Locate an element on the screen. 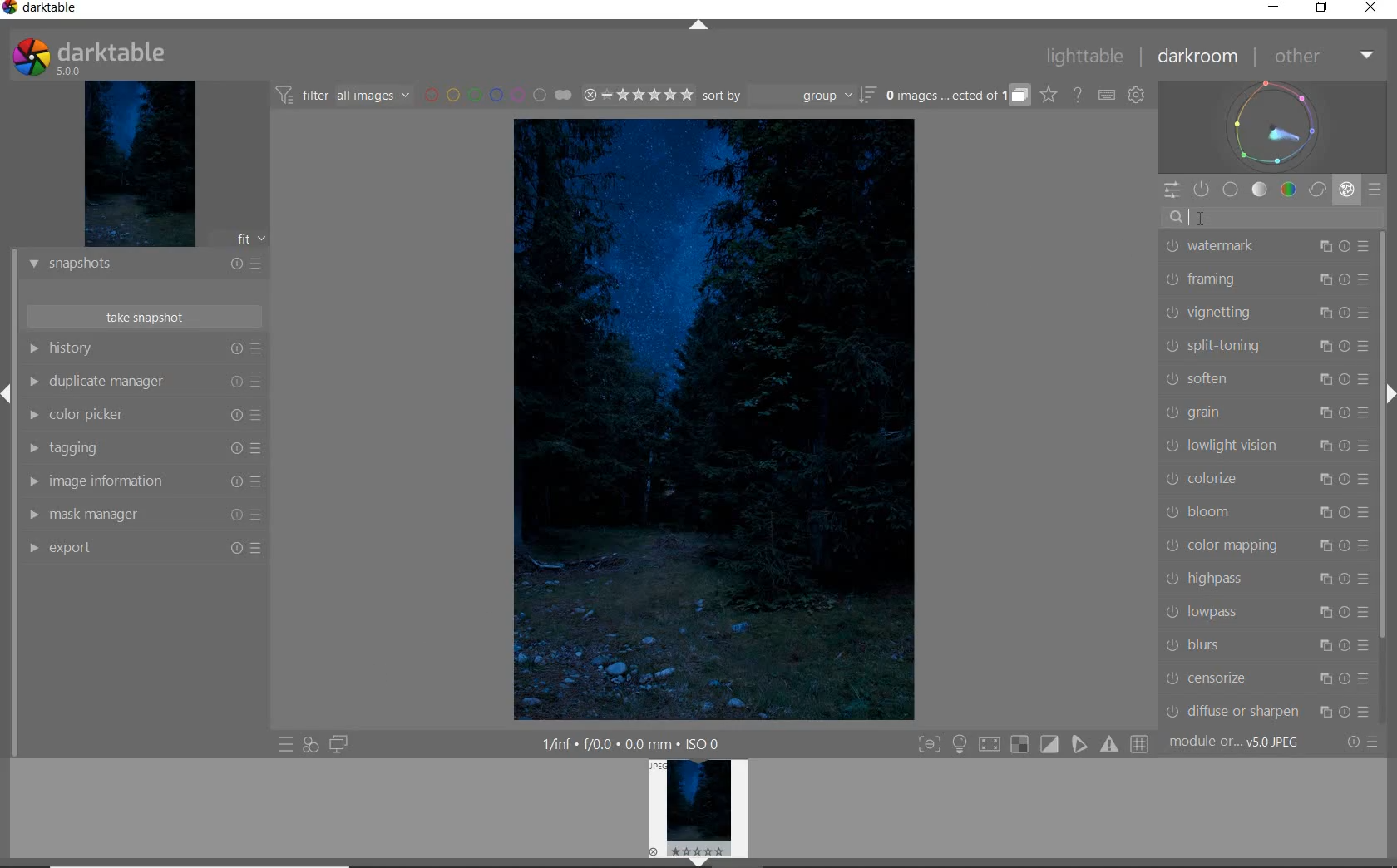  CLICK TO CHANGE THE OVERLAYS SHOWN ON THUMBNAILS is located at coordinates (1049, 95).